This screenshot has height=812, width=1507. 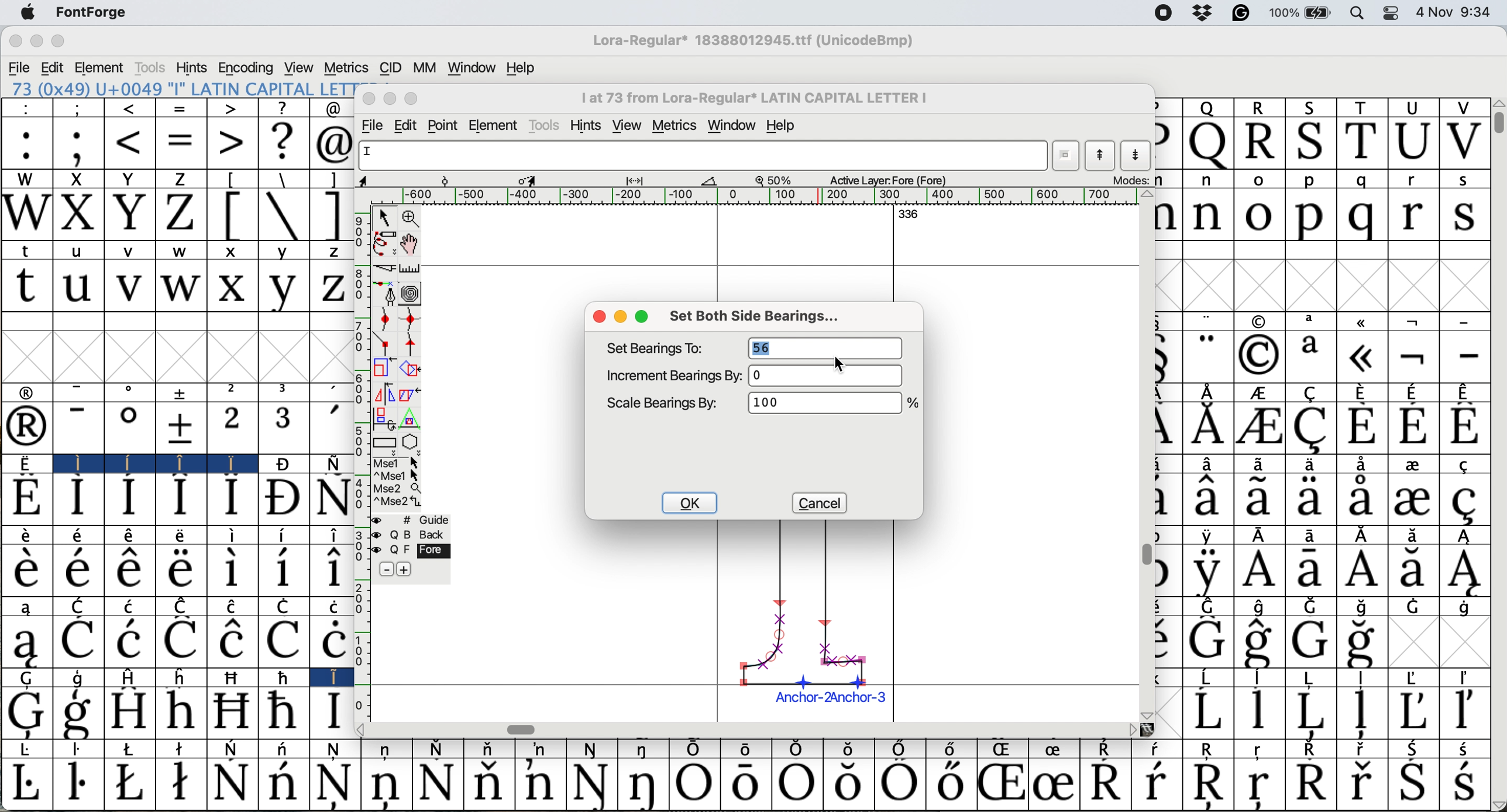 What do you see at coordinates (283, 251) in the screenshot?
I see `y` at bounding box center [283, 251].